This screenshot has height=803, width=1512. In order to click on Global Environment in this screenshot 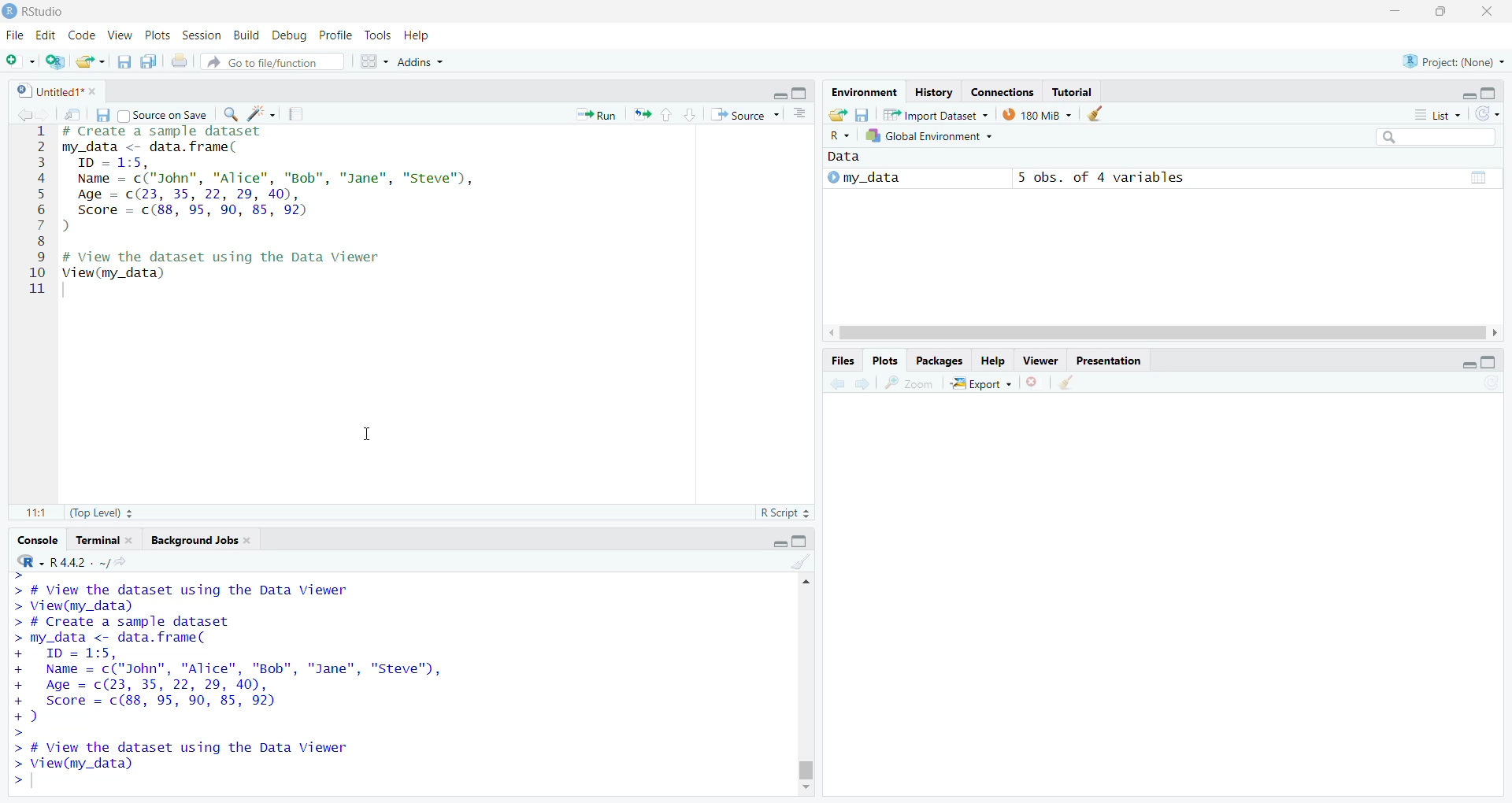, I will do `click(932, 136)`.